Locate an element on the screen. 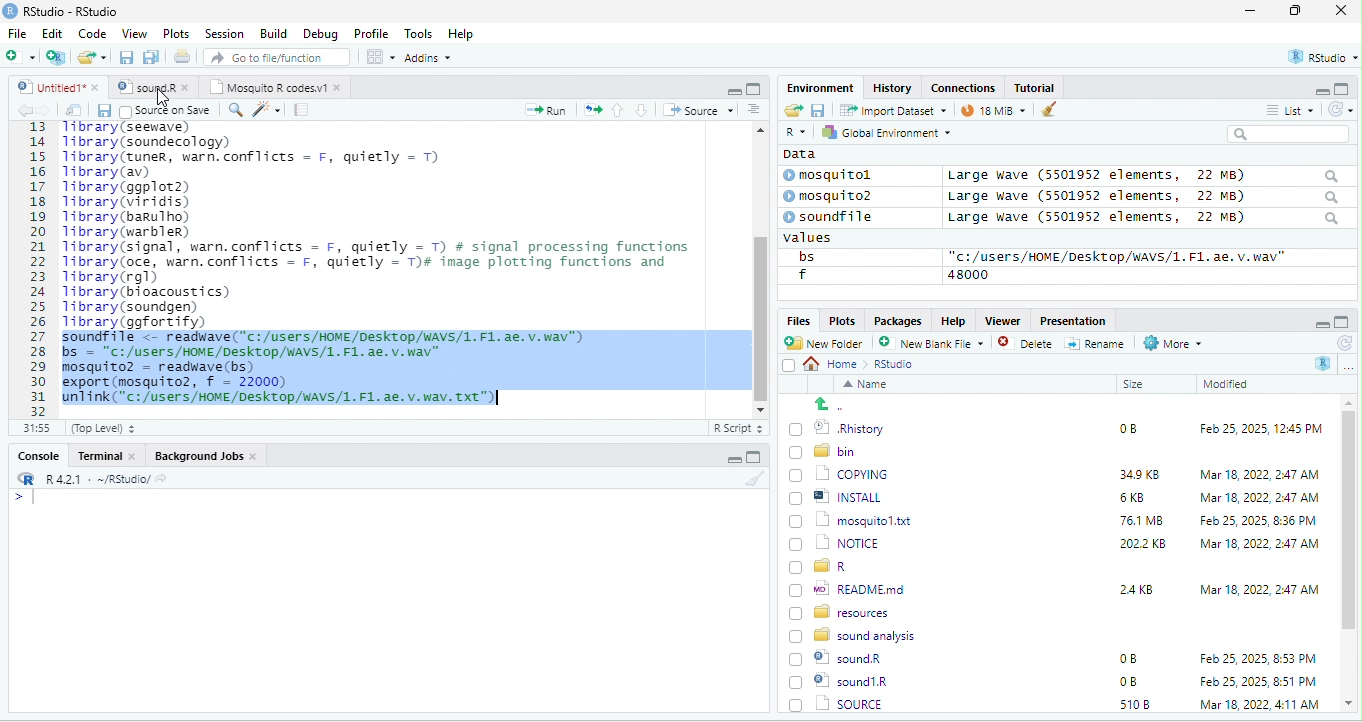  brush is located at coordinates (1044, 111).